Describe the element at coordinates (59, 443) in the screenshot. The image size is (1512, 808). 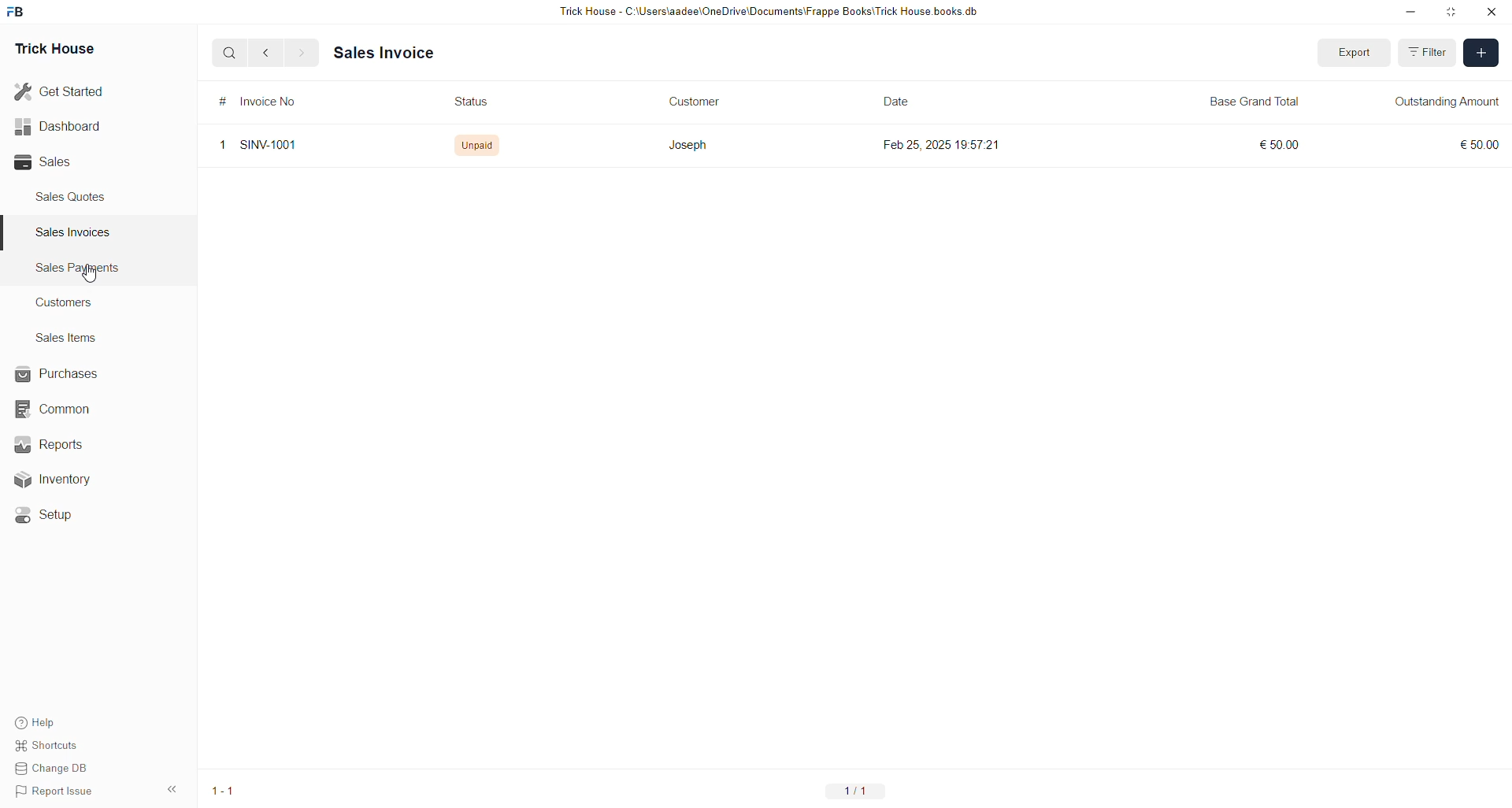
I see `Reports` at that location.